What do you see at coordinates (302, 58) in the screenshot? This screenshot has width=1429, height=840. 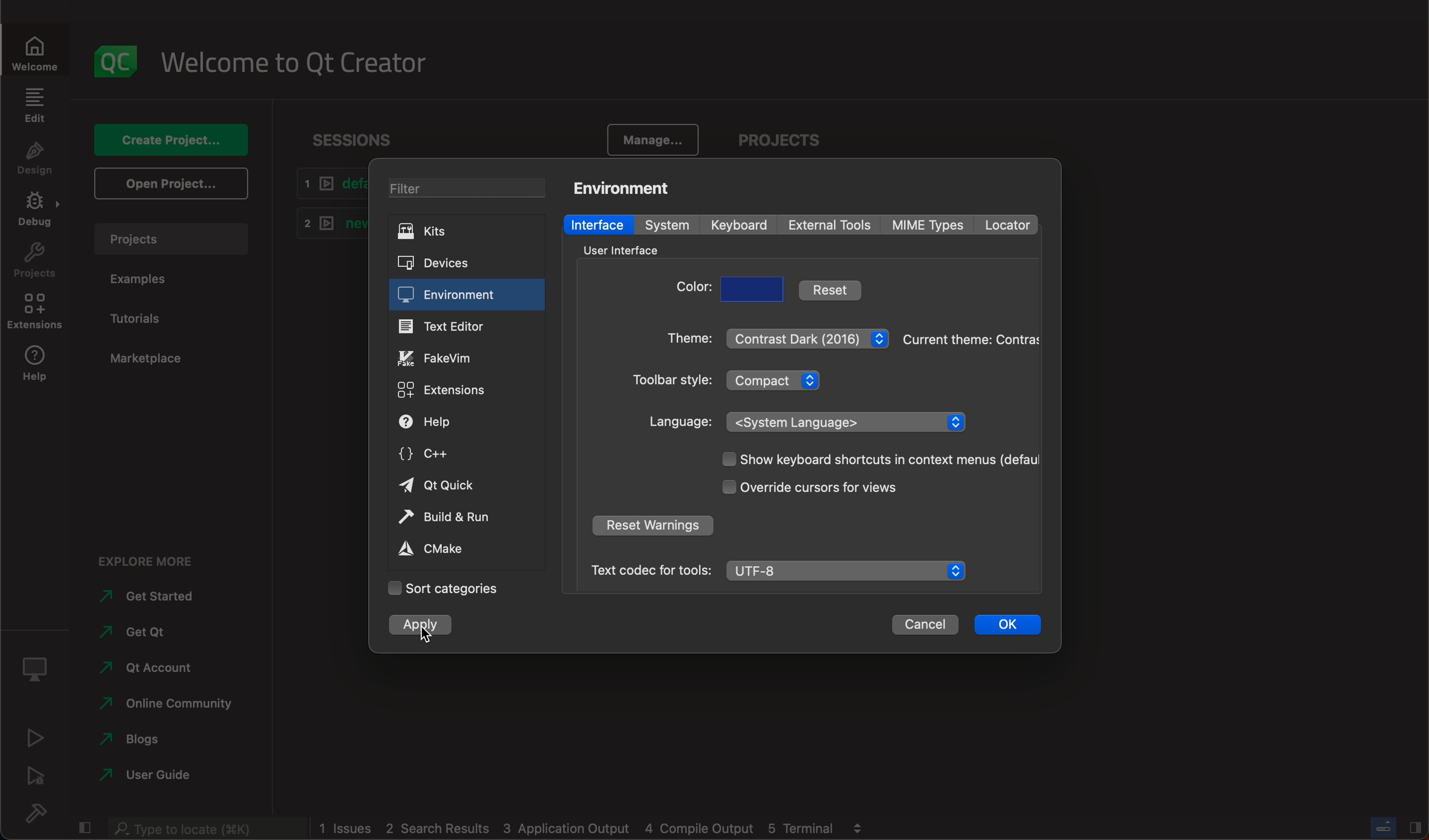 I see `welcomE` at bounding box center [302, 58].